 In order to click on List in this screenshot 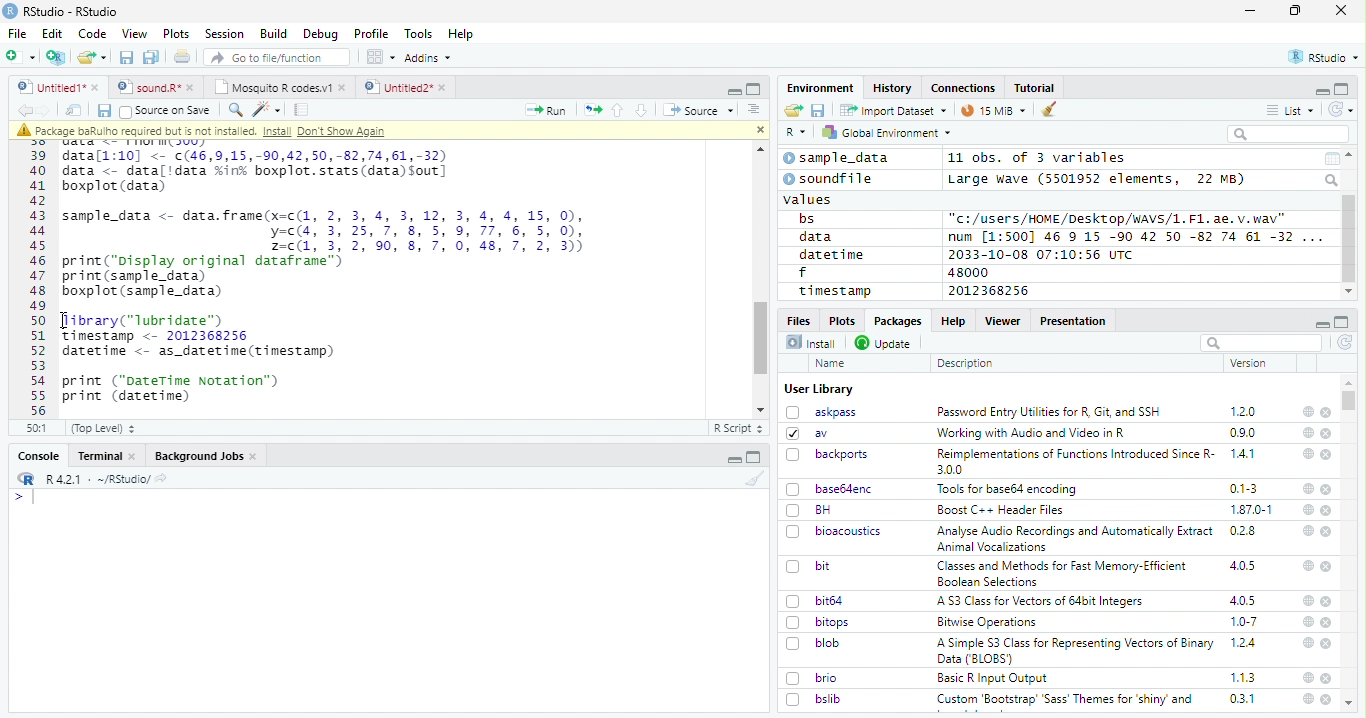, I will do `click(1291, 111)`.